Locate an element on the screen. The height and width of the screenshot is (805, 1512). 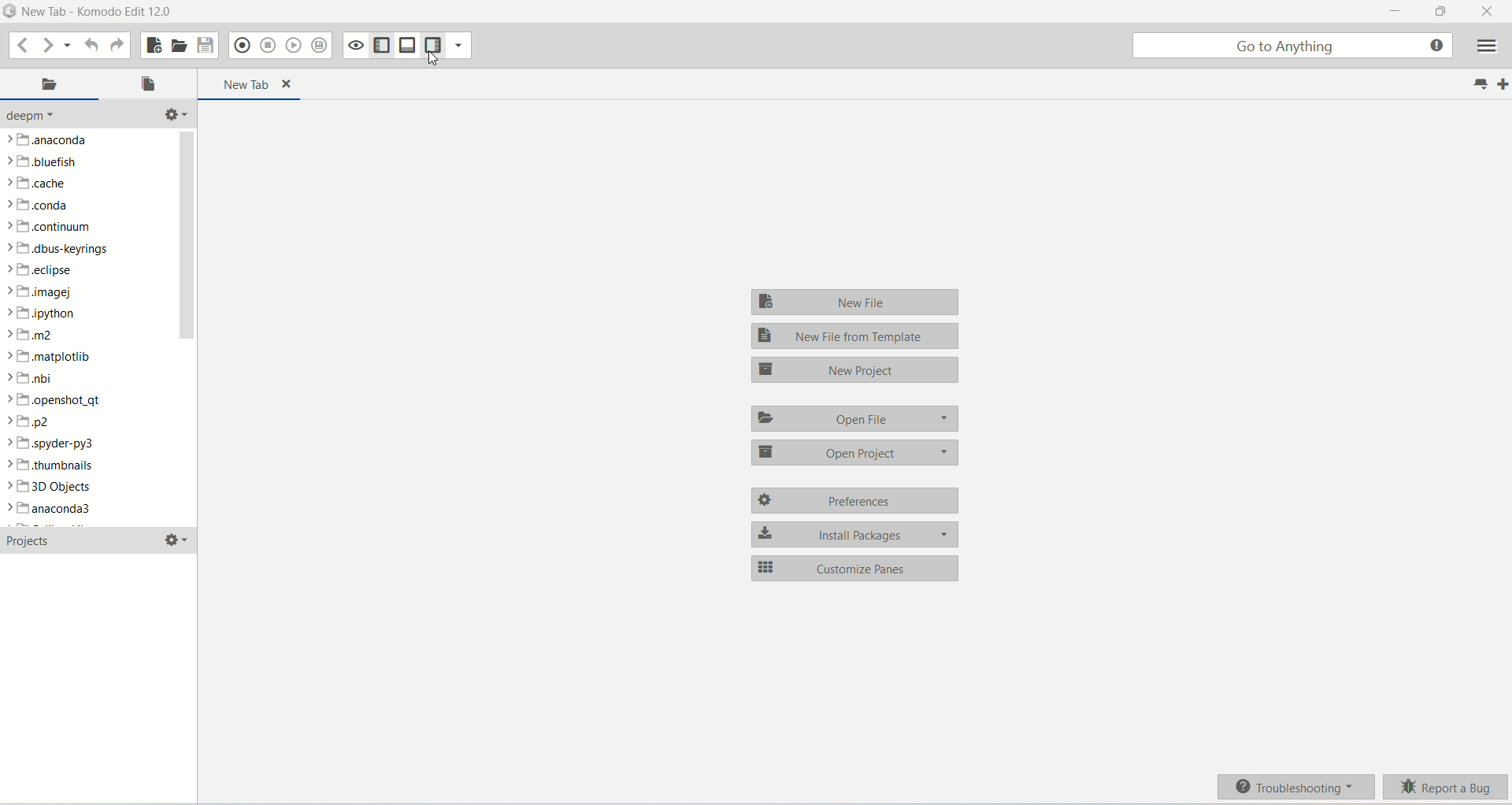
preferences is located at coordinates (854, 501).